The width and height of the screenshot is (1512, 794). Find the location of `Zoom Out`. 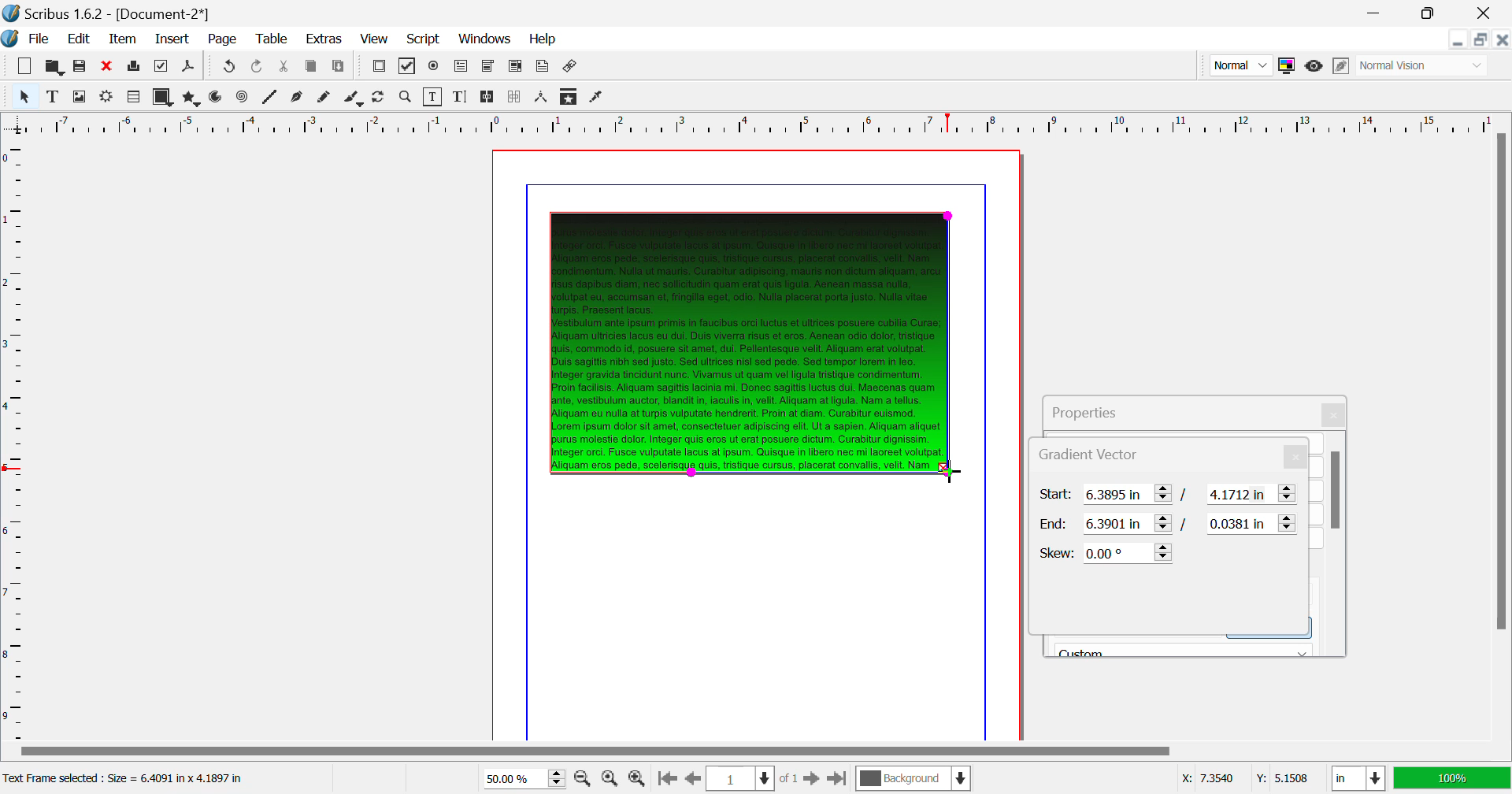

Zoom Out is located at coordinates (584, 777).